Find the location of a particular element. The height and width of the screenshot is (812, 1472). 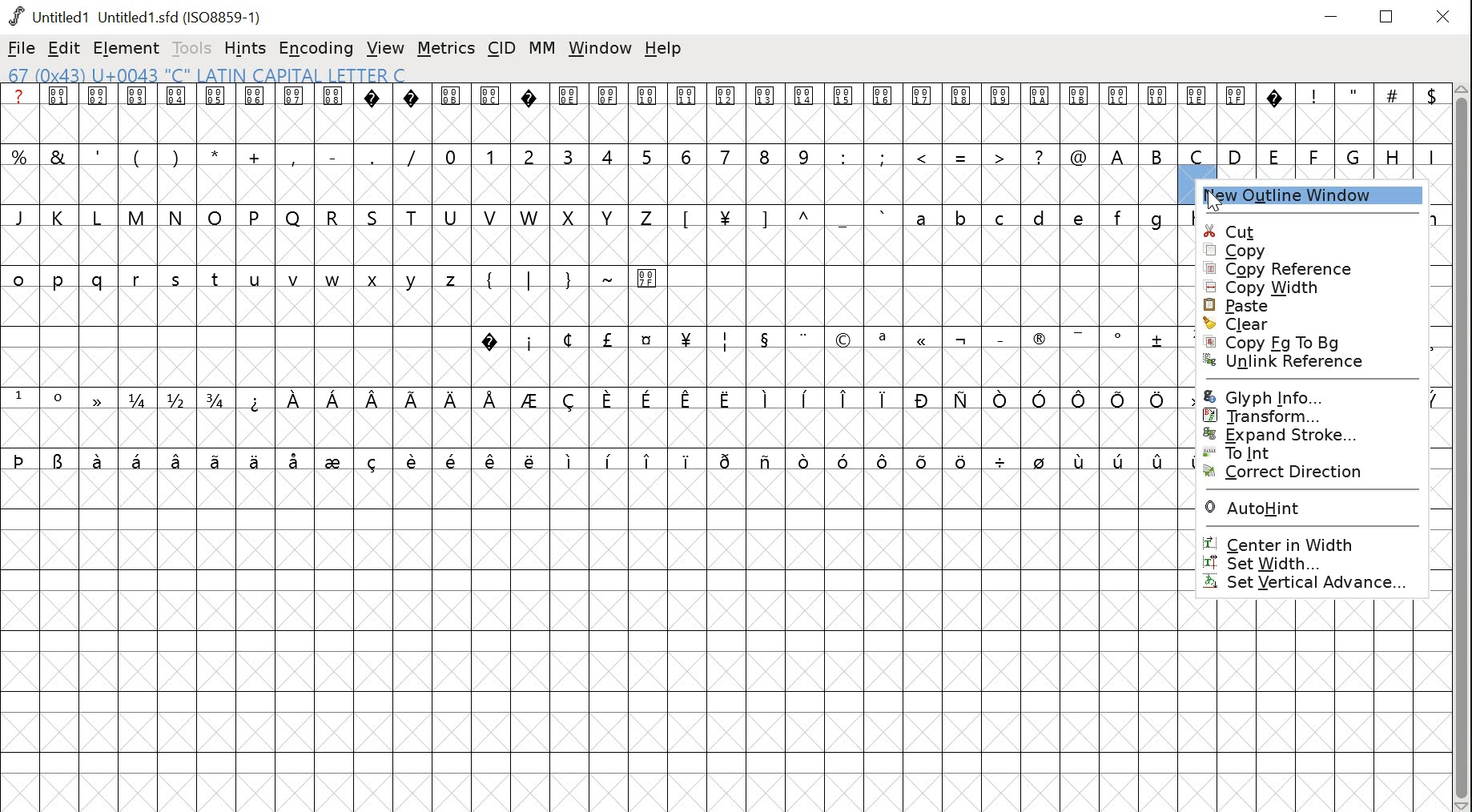

unlink reference is located at coordinates (1293, 365).